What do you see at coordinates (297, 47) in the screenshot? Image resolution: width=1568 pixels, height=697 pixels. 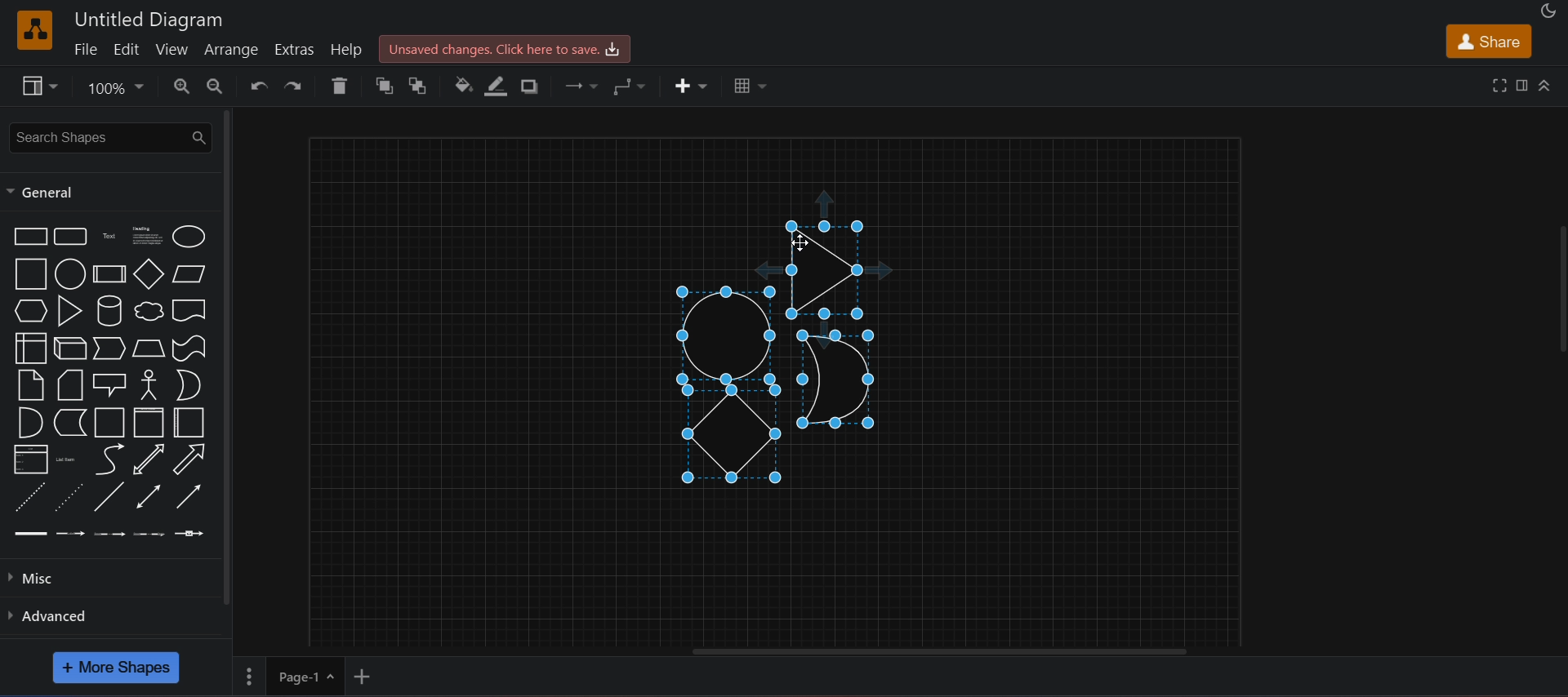 I see `extras` at bounding box center [297, 47].